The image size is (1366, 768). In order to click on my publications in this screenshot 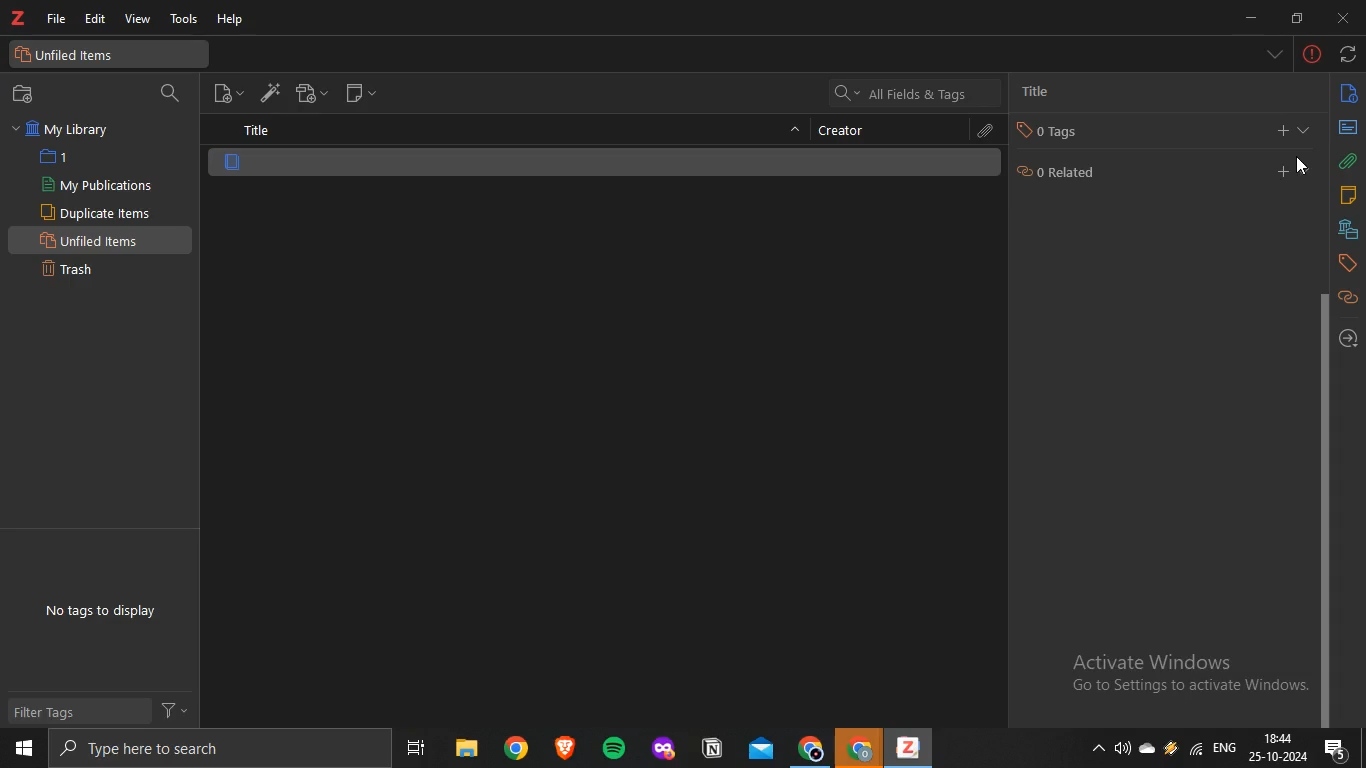, I will do `click(95, 183)`.